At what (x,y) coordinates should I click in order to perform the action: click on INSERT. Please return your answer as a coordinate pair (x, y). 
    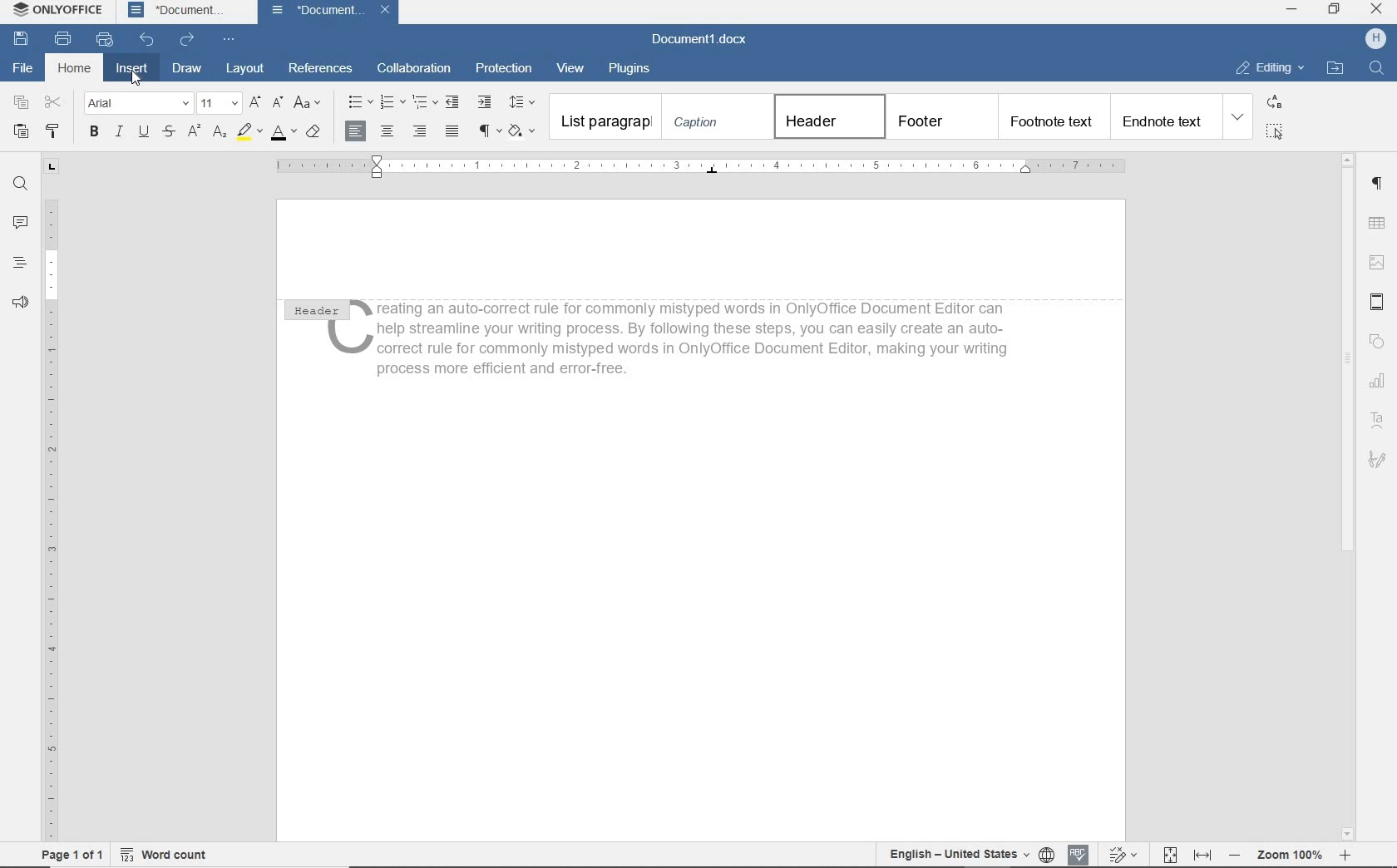
    Looking at the image, I should click on (131, 69).